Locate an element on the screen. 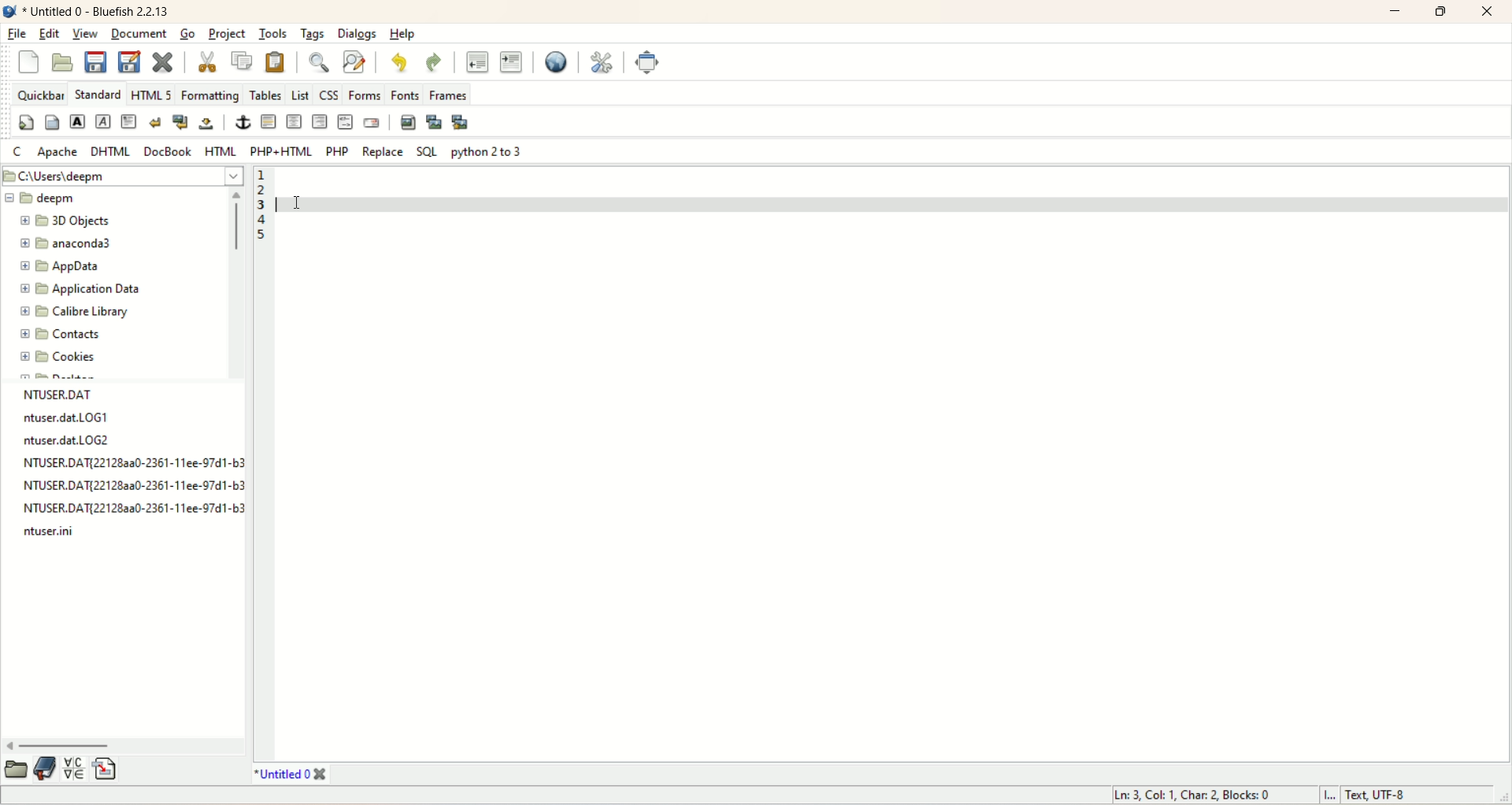 The width and height of the screenshot is (1512, 805). file name is located at coordinates (74, 417).